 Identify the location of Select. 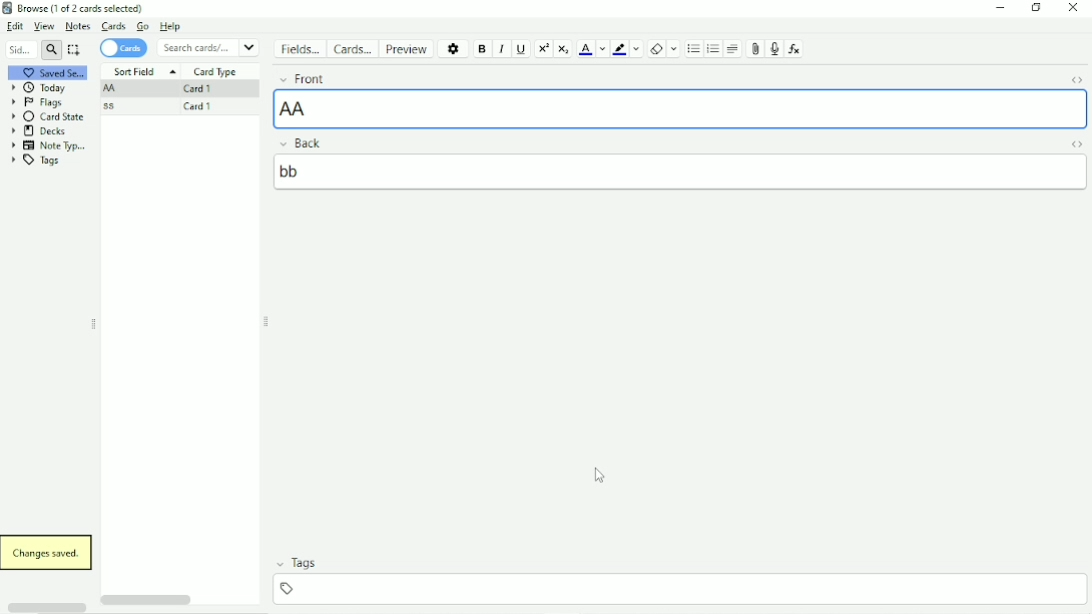
(76, 50).